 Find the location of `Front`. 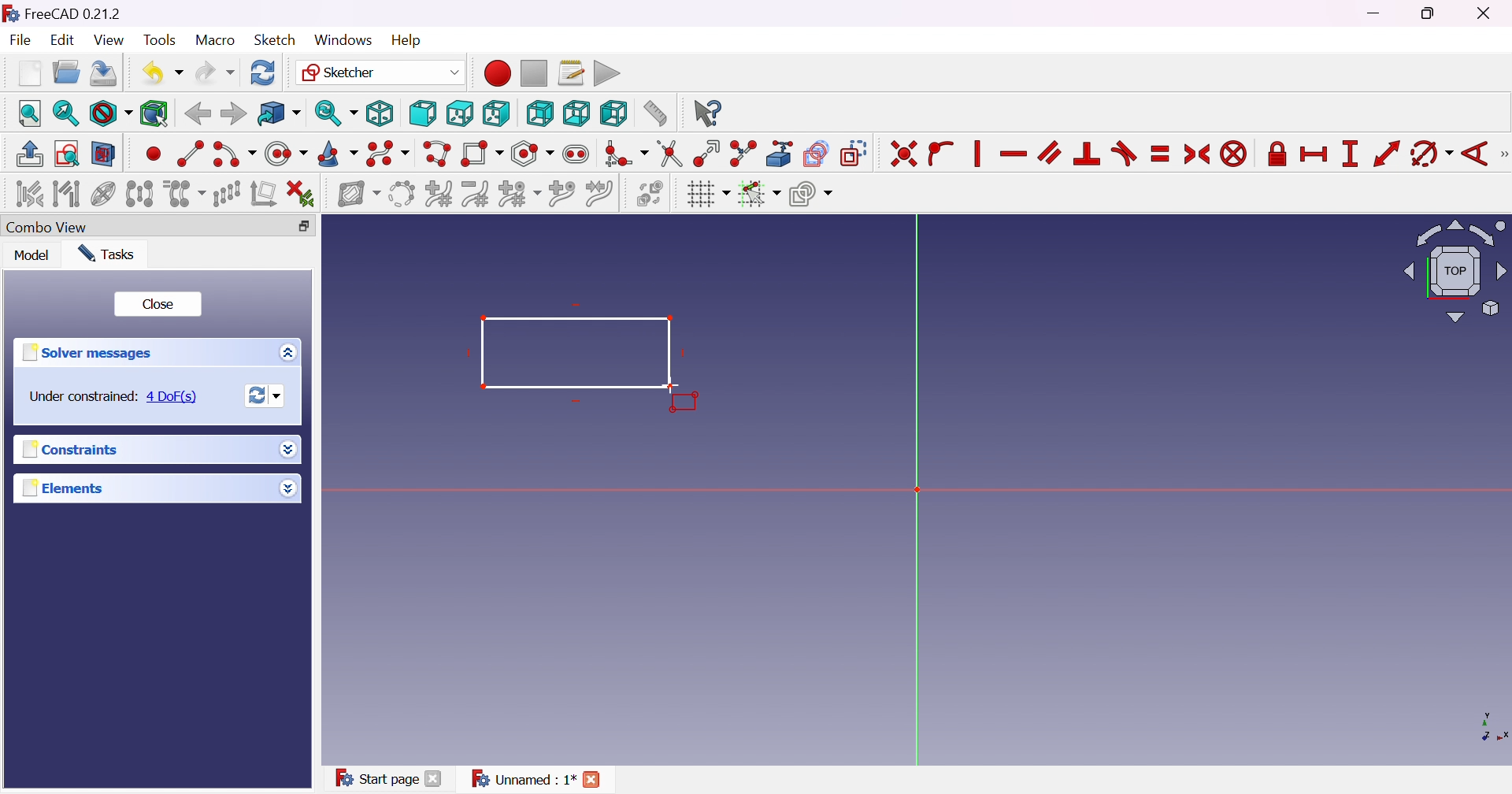

Front is located at coordinates (422, 114).